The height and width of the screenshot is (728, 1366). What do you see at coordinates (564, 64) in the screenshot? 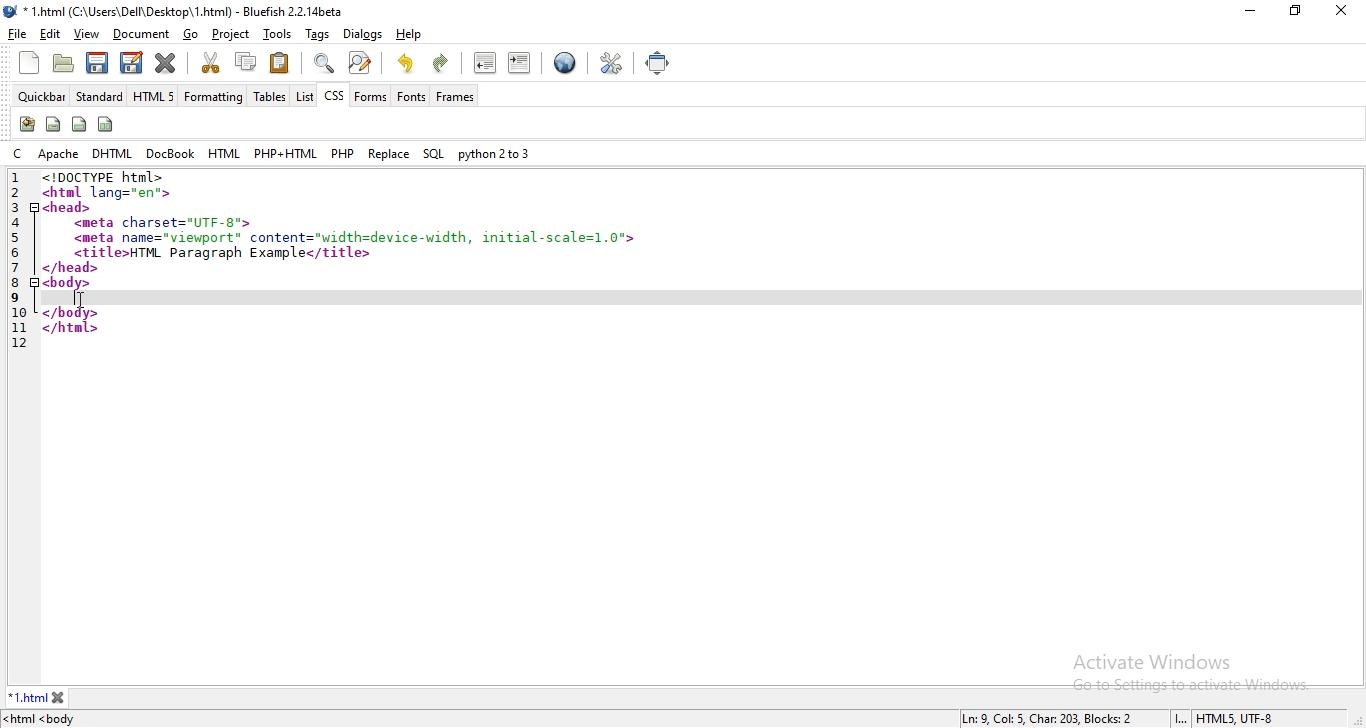
I see `preview in browser` at bounding box center [564, 64].